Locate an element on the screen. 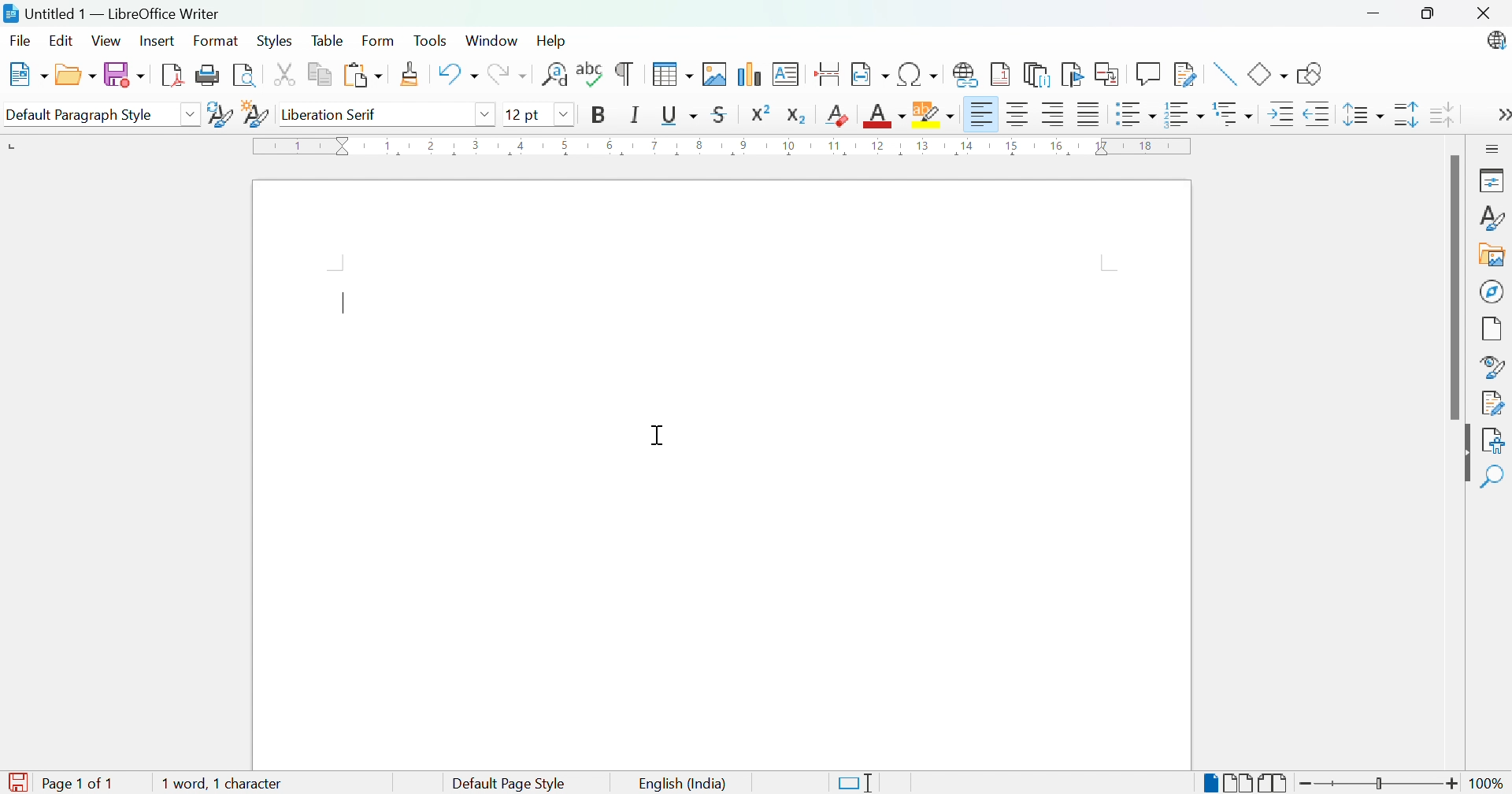  Undo is located at coordinates (458, 73).